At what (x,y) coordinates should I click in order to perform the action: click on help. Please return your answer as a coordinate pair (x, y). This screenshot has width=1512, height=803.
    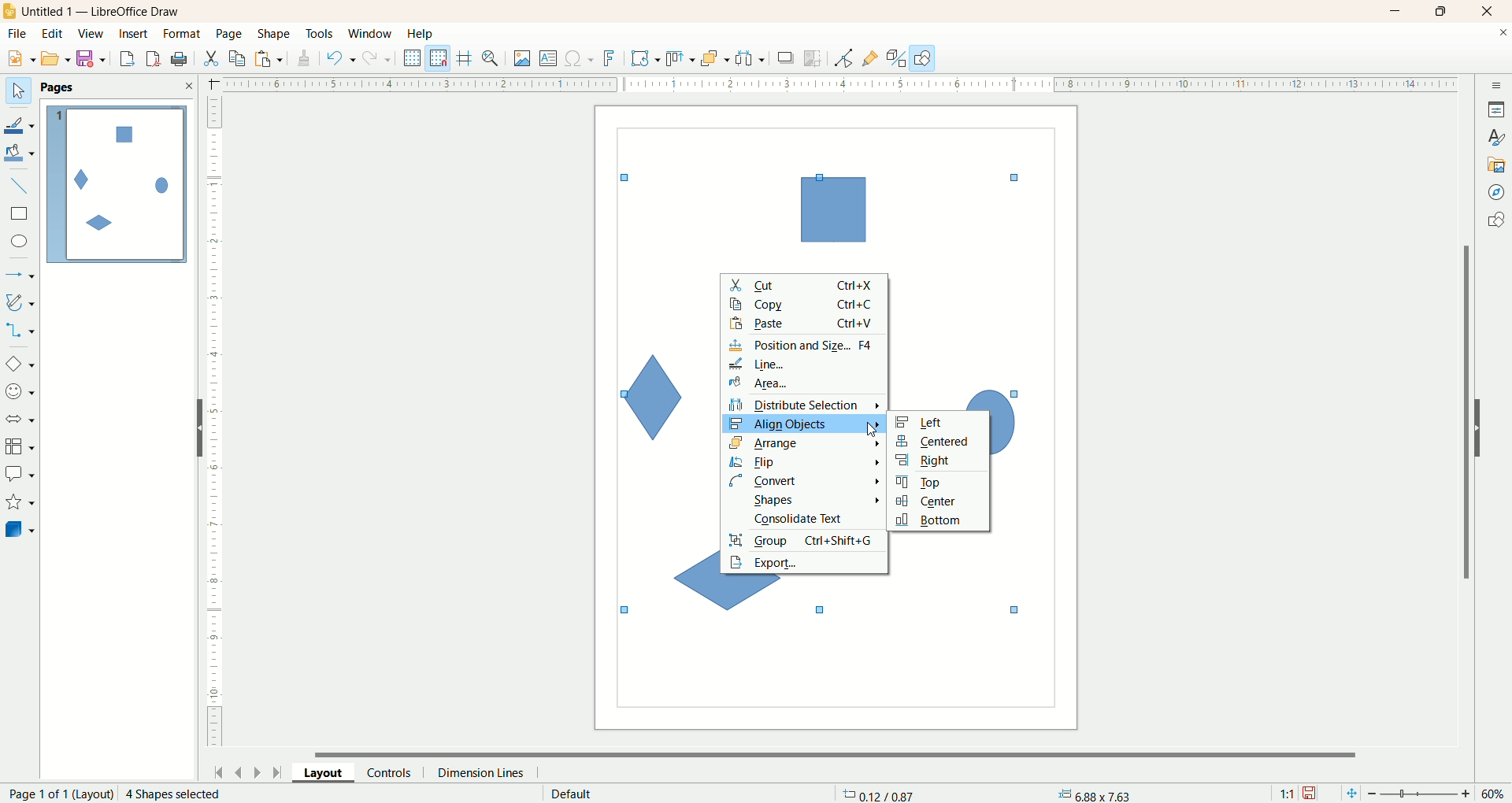
    Looking at the image, I should click on (421, 34).